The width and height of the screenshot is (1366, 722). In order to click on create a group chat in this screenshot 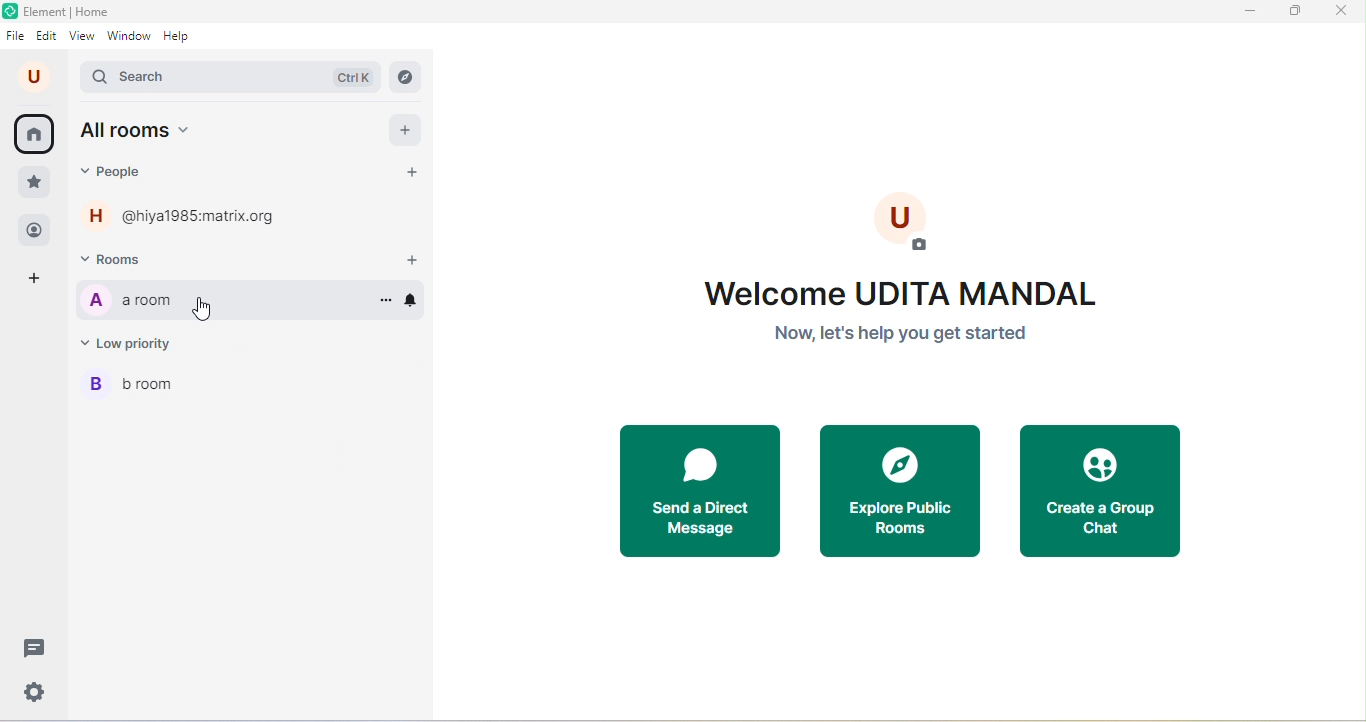, I will do `click(1099, 491)`.